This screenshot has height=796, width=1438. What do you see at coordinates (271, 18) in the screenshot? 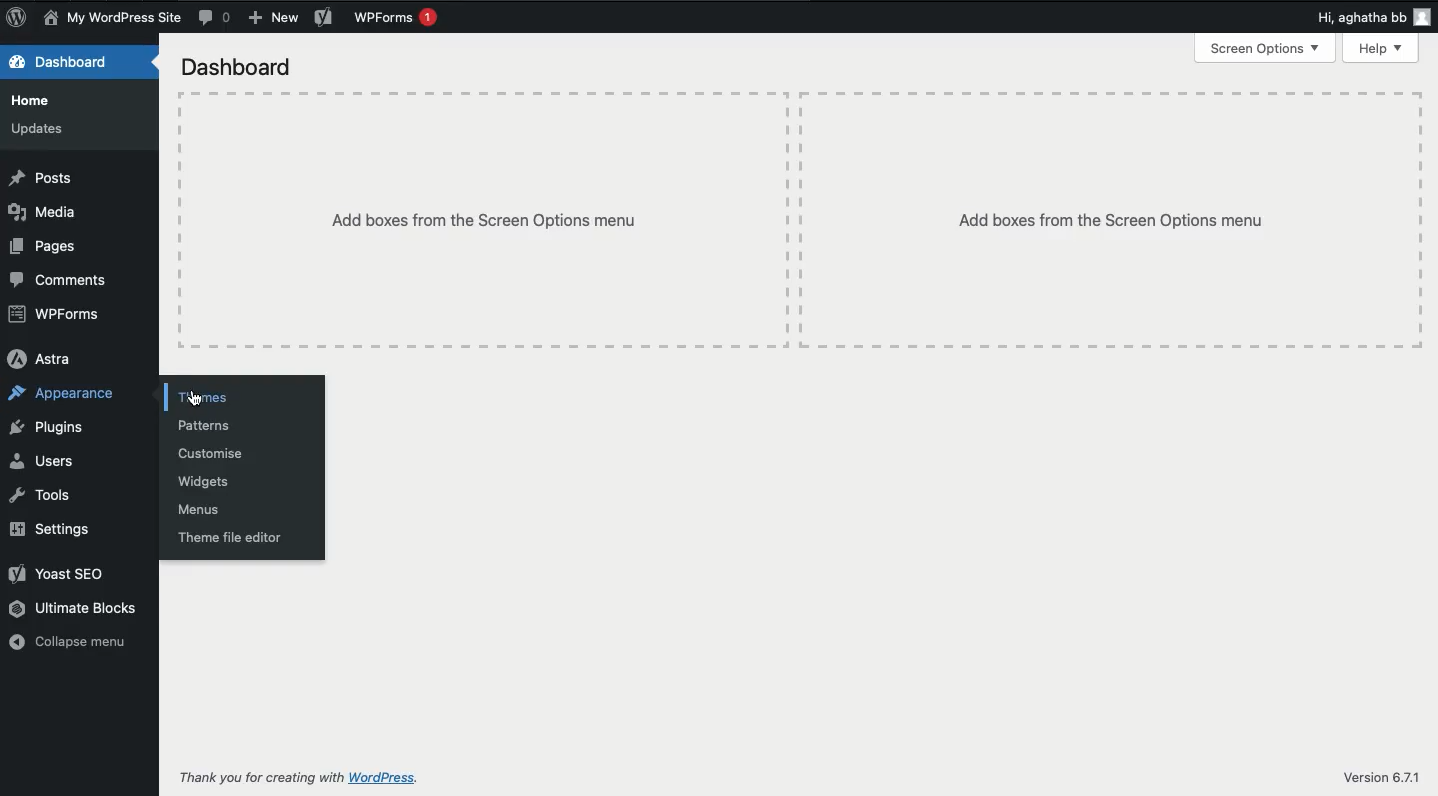
I see `New` at bounding box center [271, 18].